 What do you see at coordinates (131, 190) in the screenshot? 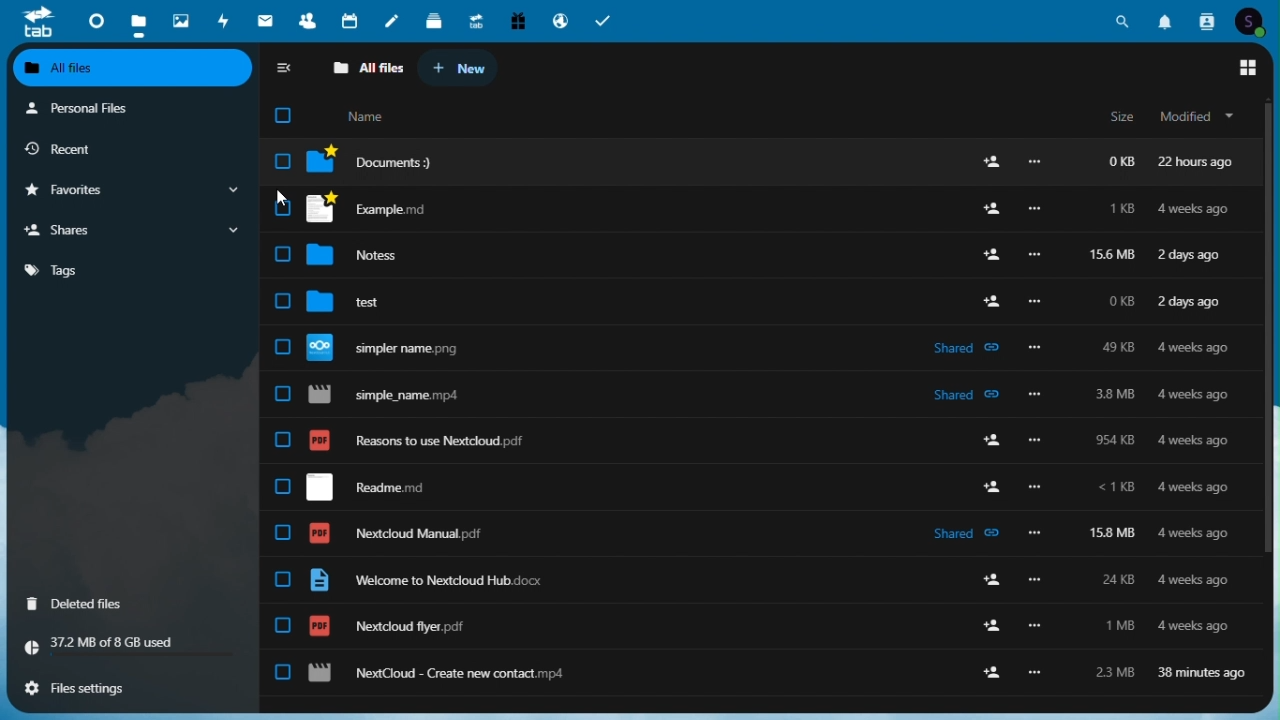
I see `Favourite` at bounding box center [131, 190].